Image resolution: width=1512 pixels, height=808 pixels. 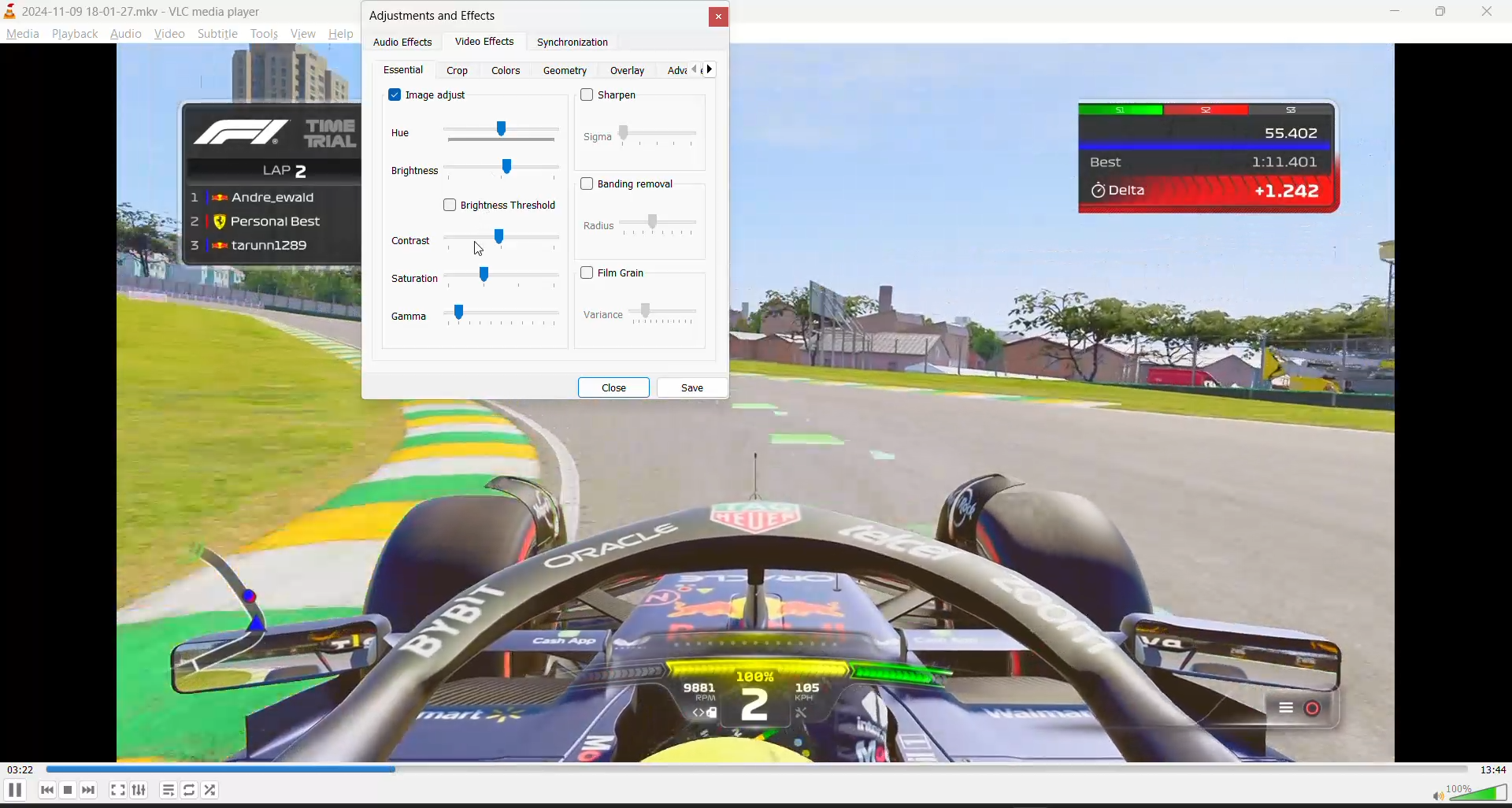 What do you see at coordinates (717, 17) in the screenshot?
I see `close` at bounding box center [717, 17].